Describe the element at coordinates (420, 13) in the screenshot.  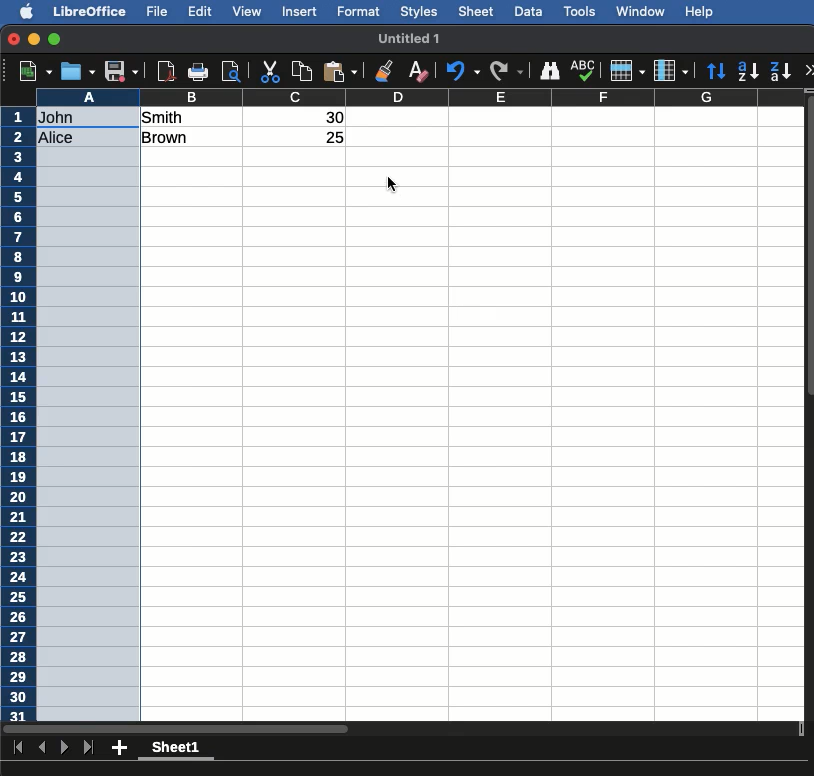
I see `Styles` at that location.